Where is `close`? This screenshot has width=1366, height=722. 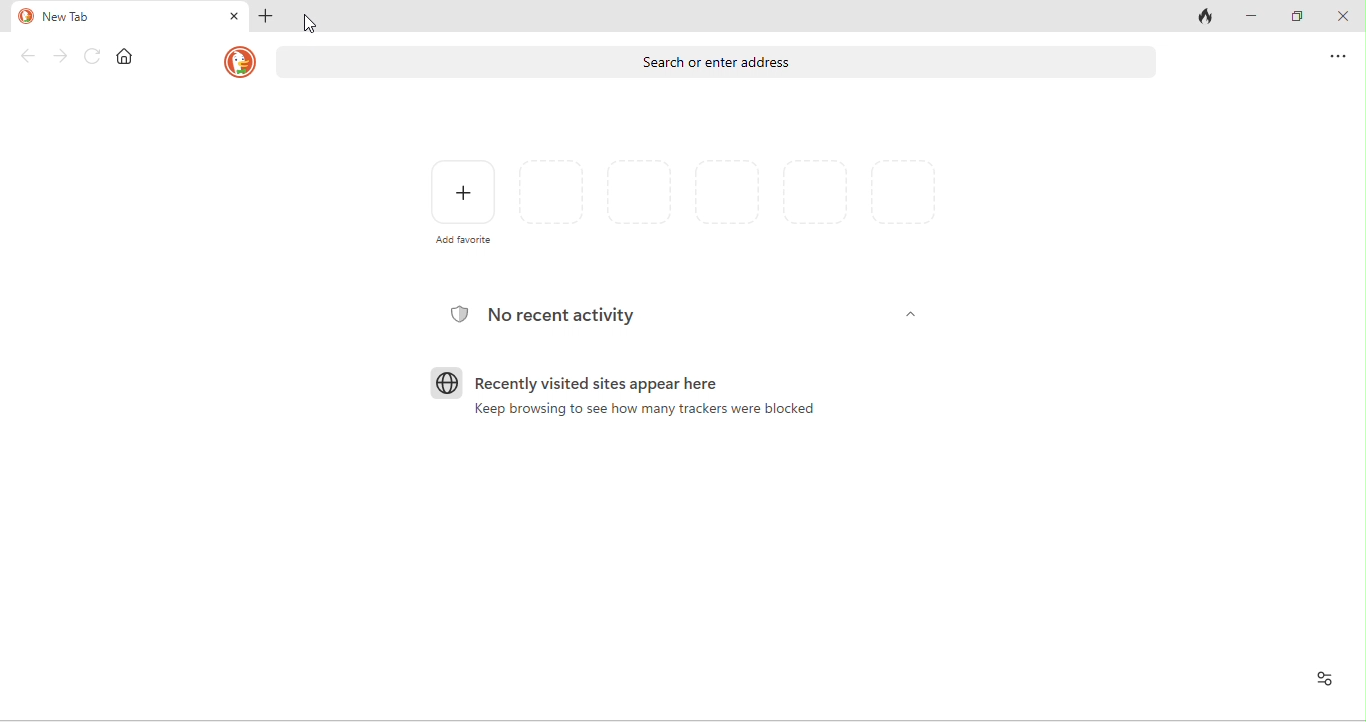 close is located at coordinates (234, 17).